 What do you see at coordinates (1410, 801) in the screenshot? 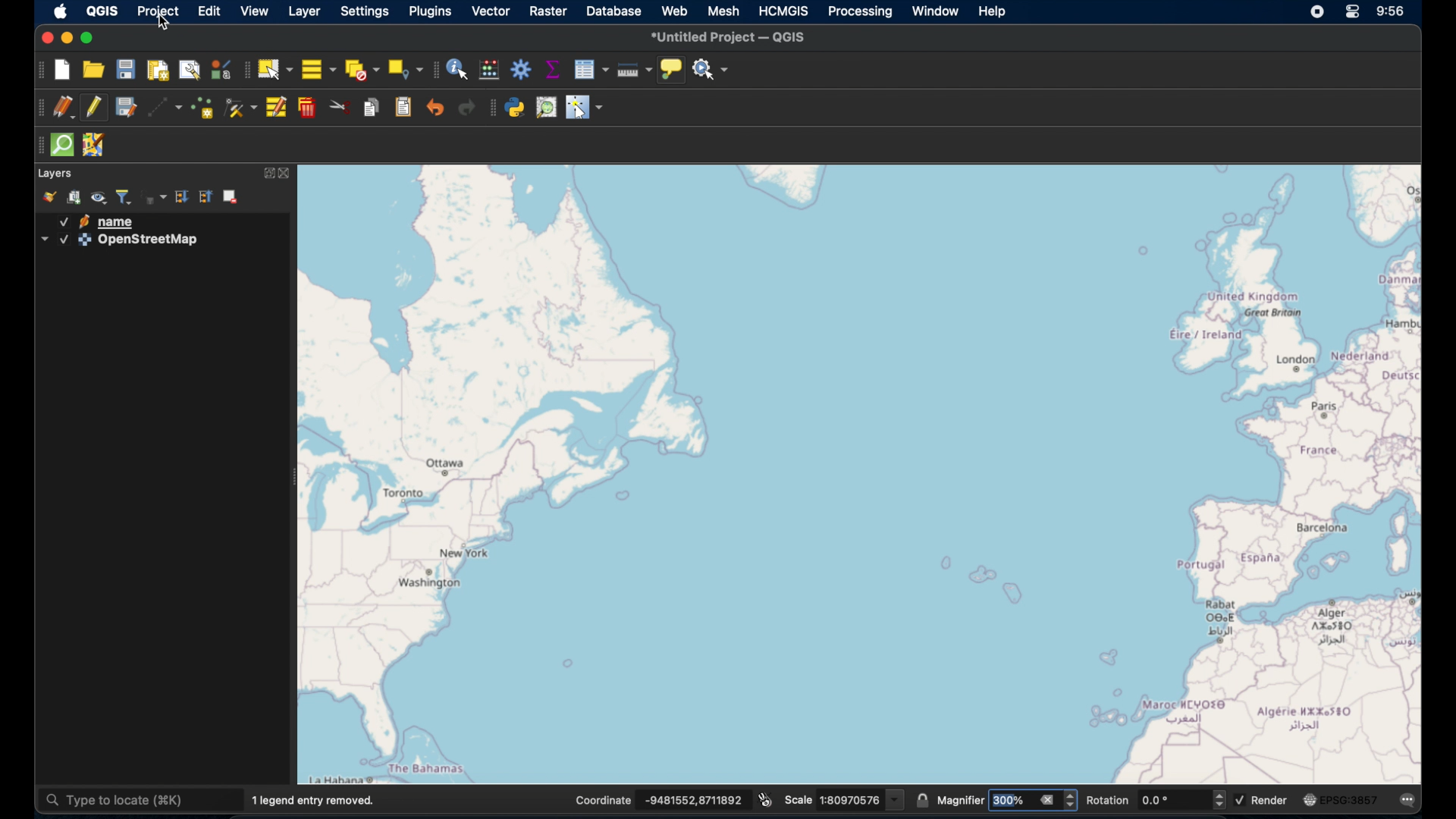
I see `messages` at bounding box center [1410, 801].